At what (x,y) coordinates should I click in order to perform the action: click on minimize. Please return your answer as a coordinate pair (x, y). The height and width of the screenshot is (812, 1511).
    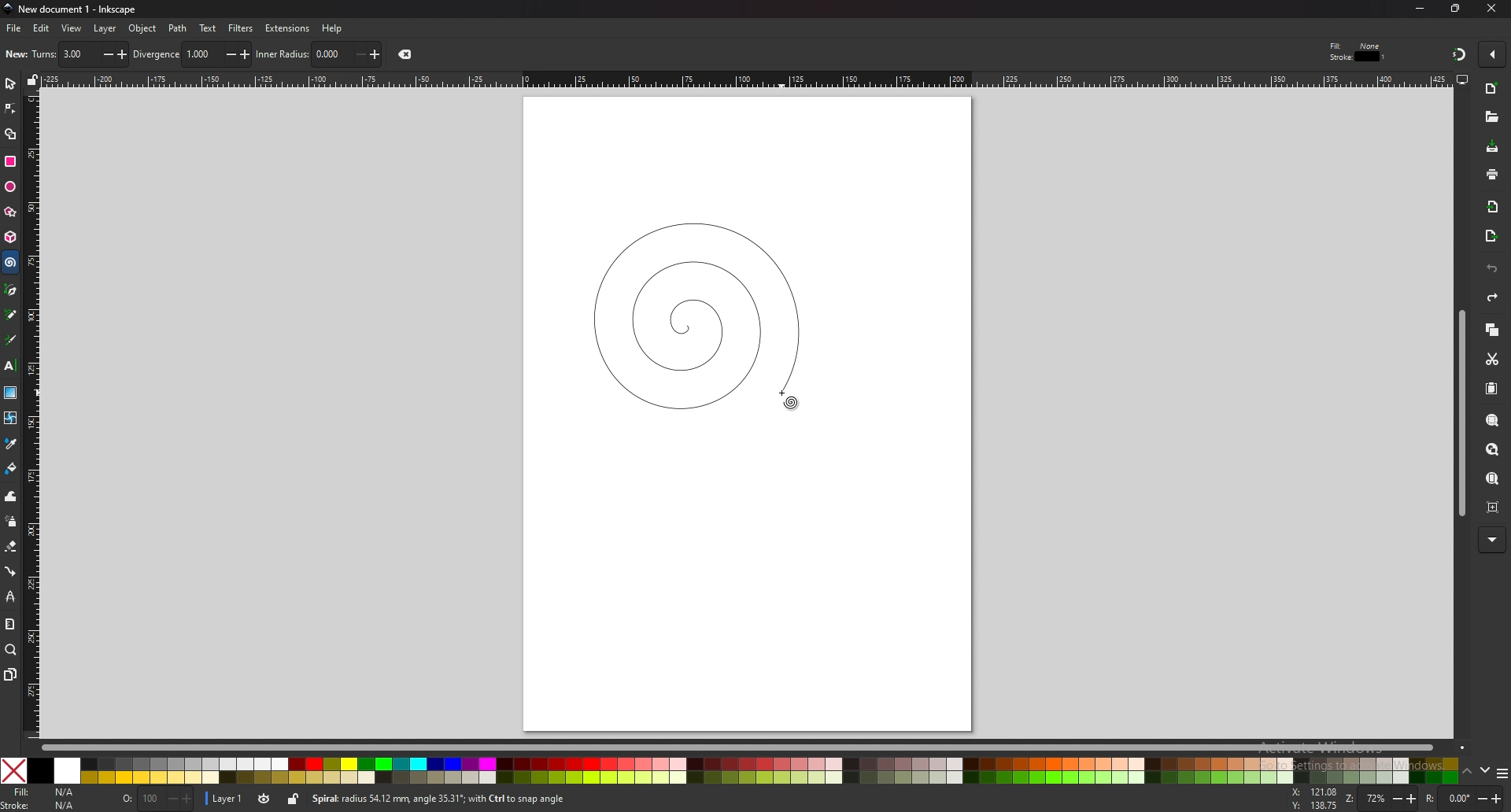
    Looking at the image, I should click on (1419, 8).